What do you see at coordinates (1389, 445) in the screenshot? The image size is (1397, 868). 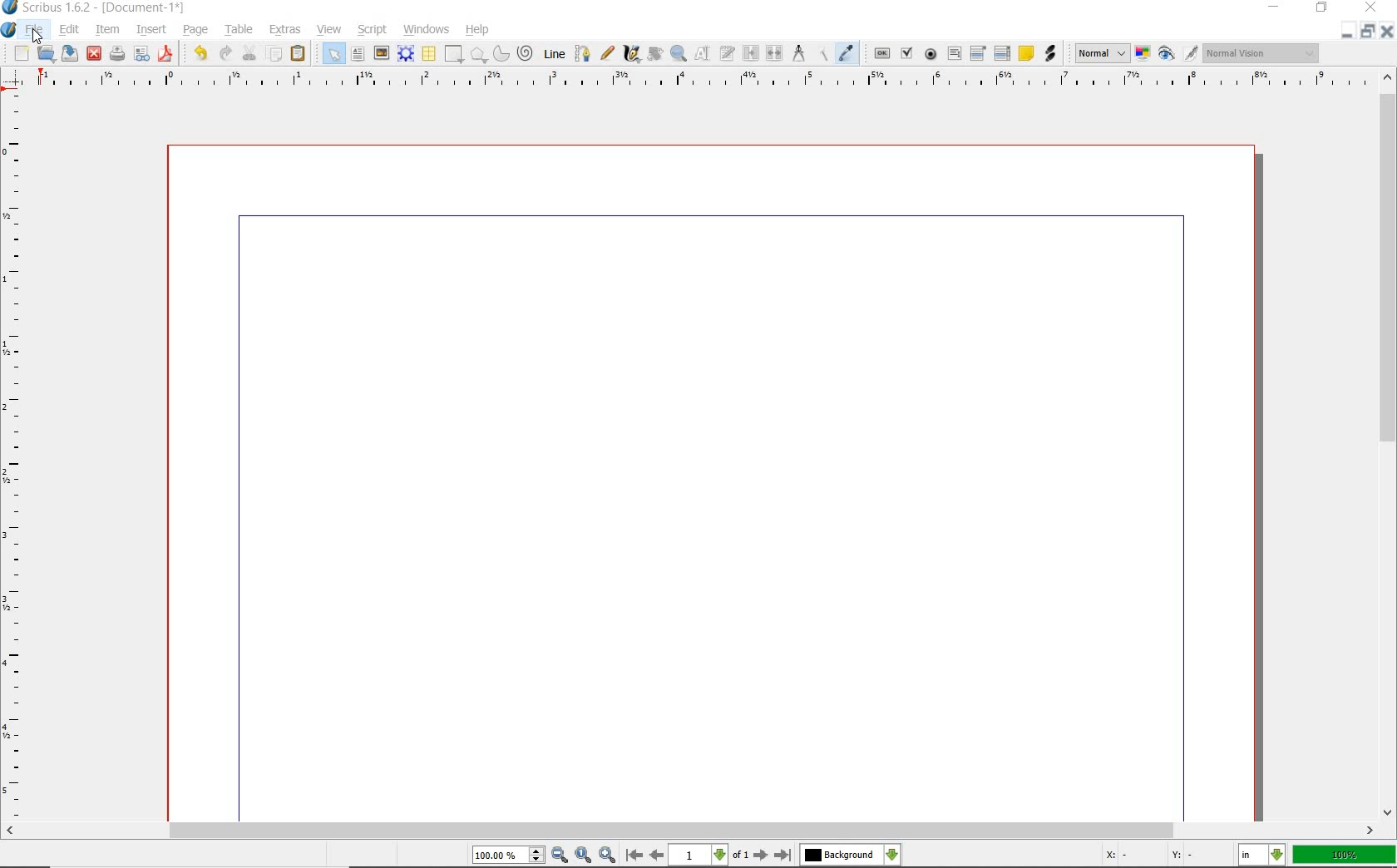 I see `scrollbar` at bounding box center [1389, 445].